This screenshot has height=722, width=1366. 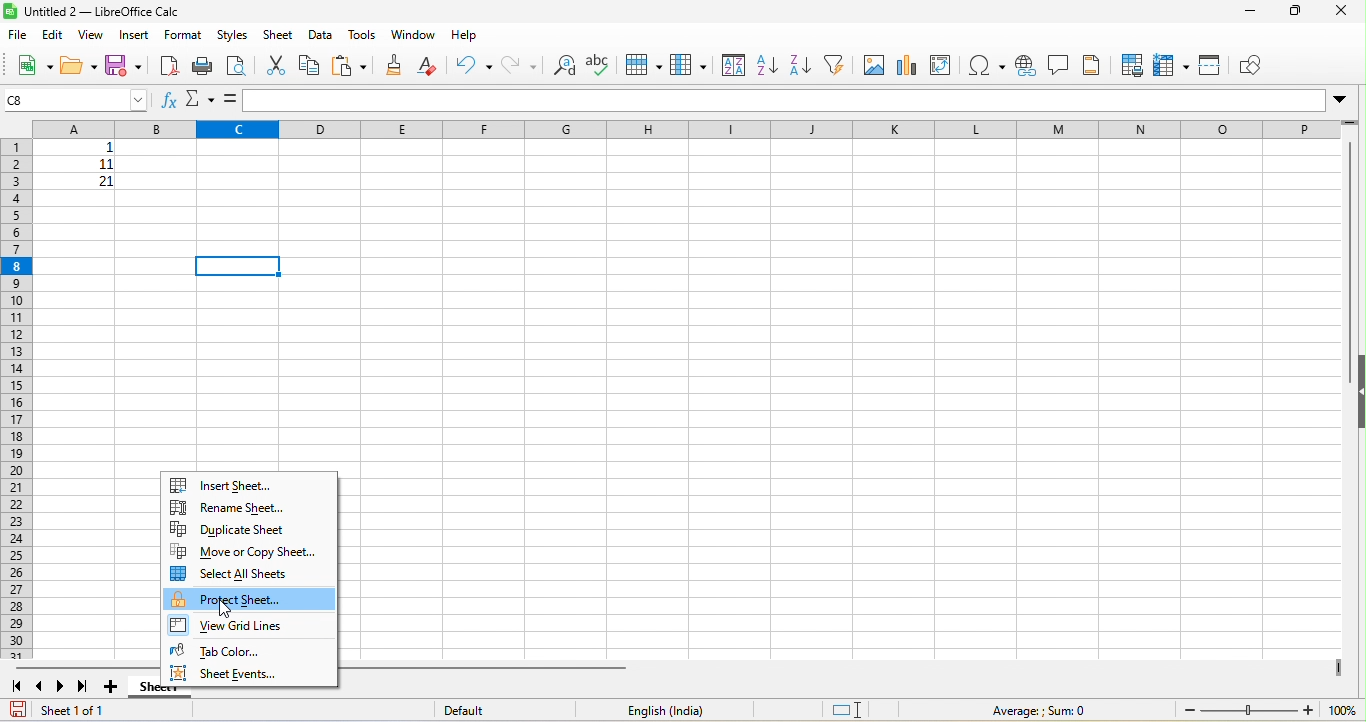 What do you see at coordinates (254, 598) in the screenshot?
I see `protect sheet` at bounding box center [254, 598].